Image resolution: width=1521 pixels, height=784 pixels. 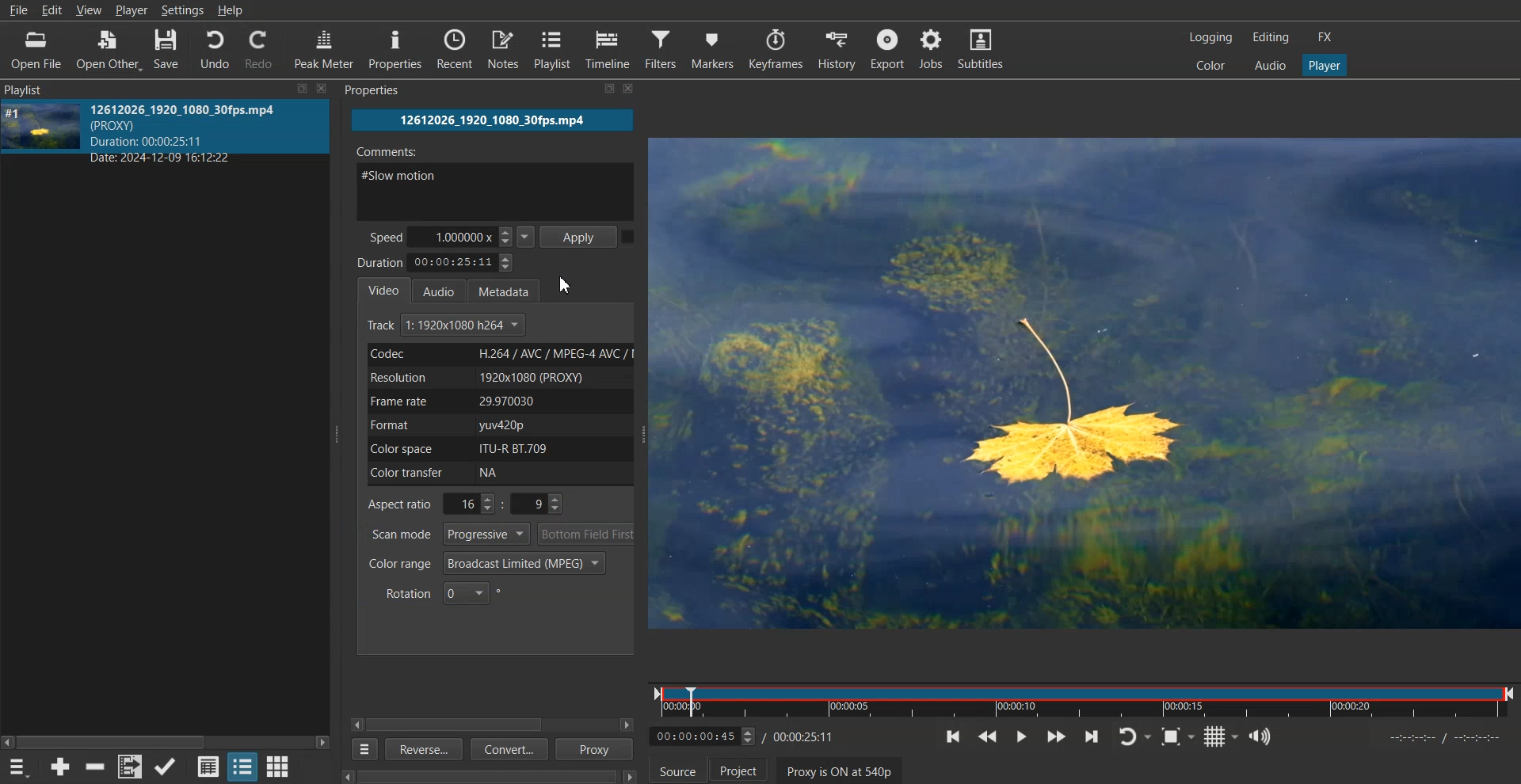 I want to click on Toggle grid display on the player, so click(x=1221, y=736).